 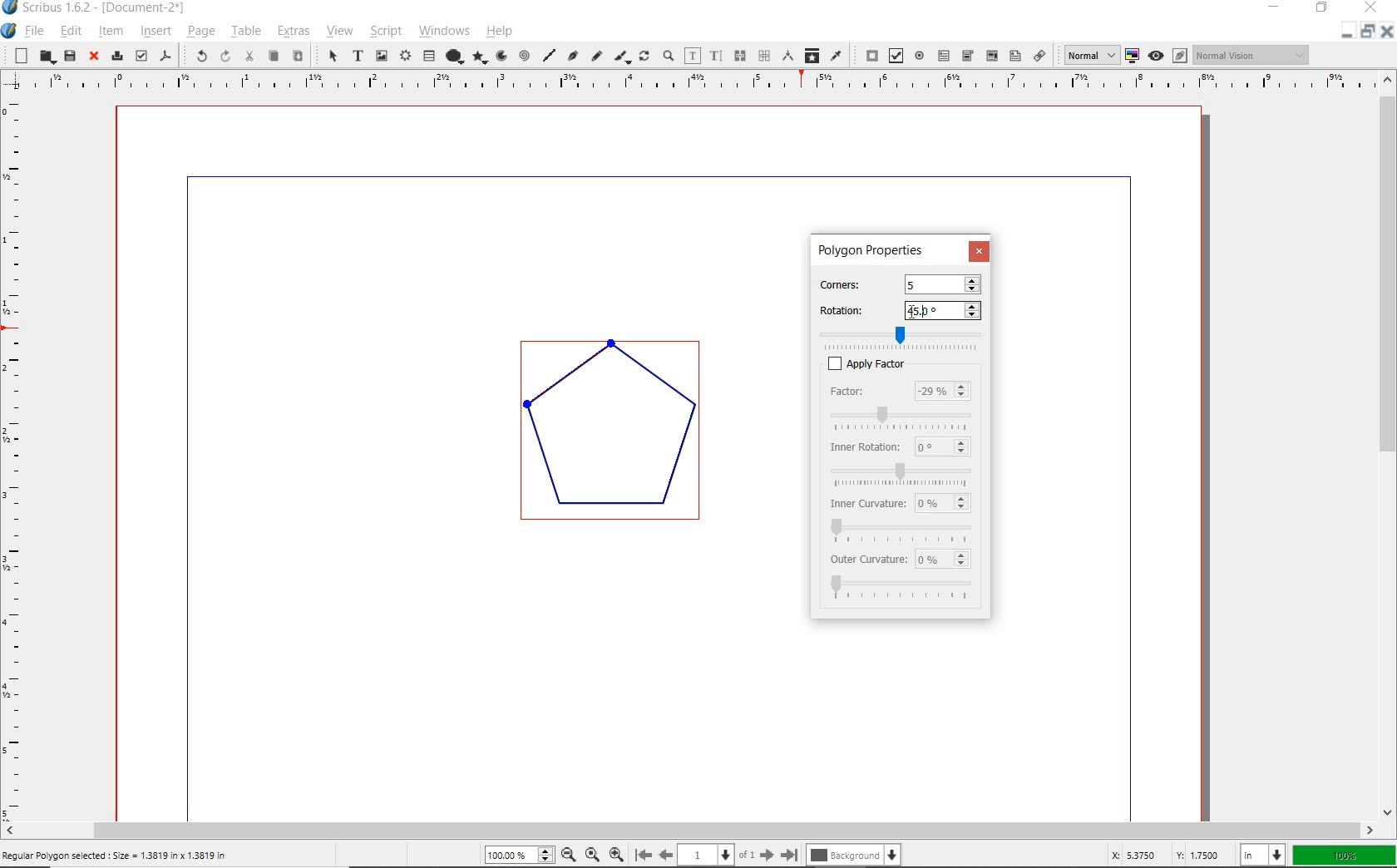 What do you see at coordinates (1323, 9) in the screenshot?
I see `restore` at bounding box center [1323, 9].